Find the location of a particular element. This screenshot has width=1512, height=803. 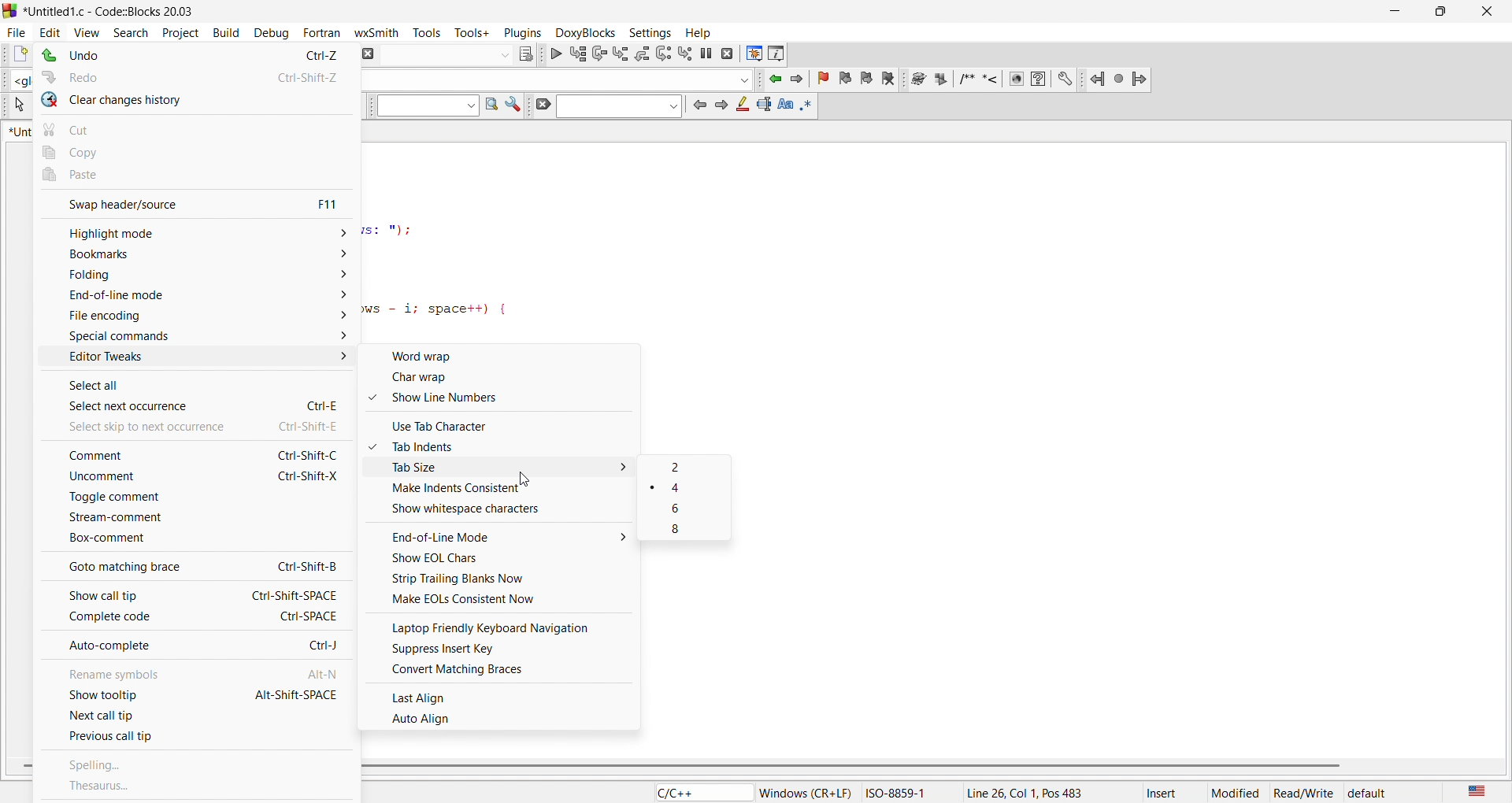

laptop friendly keyboard nav is located at coordinates (506, 626).